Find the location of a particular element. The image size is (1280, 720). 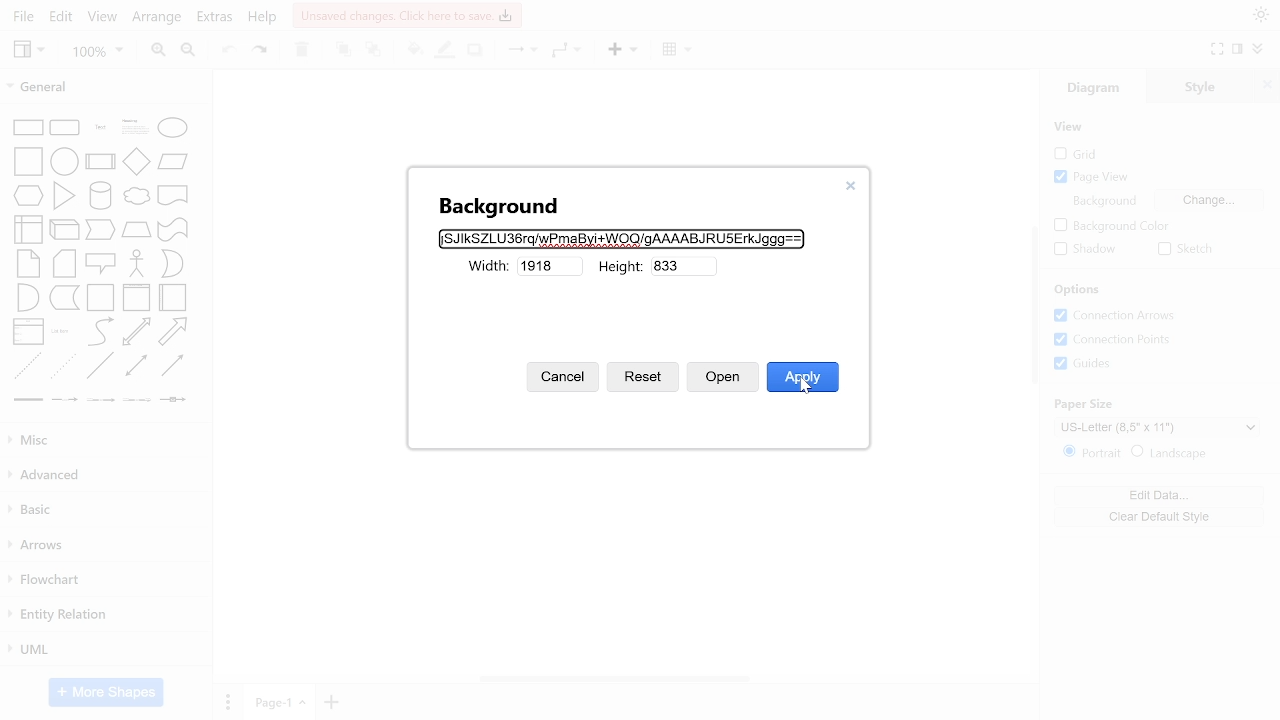

general shapes is located at coordinates (173, 400).